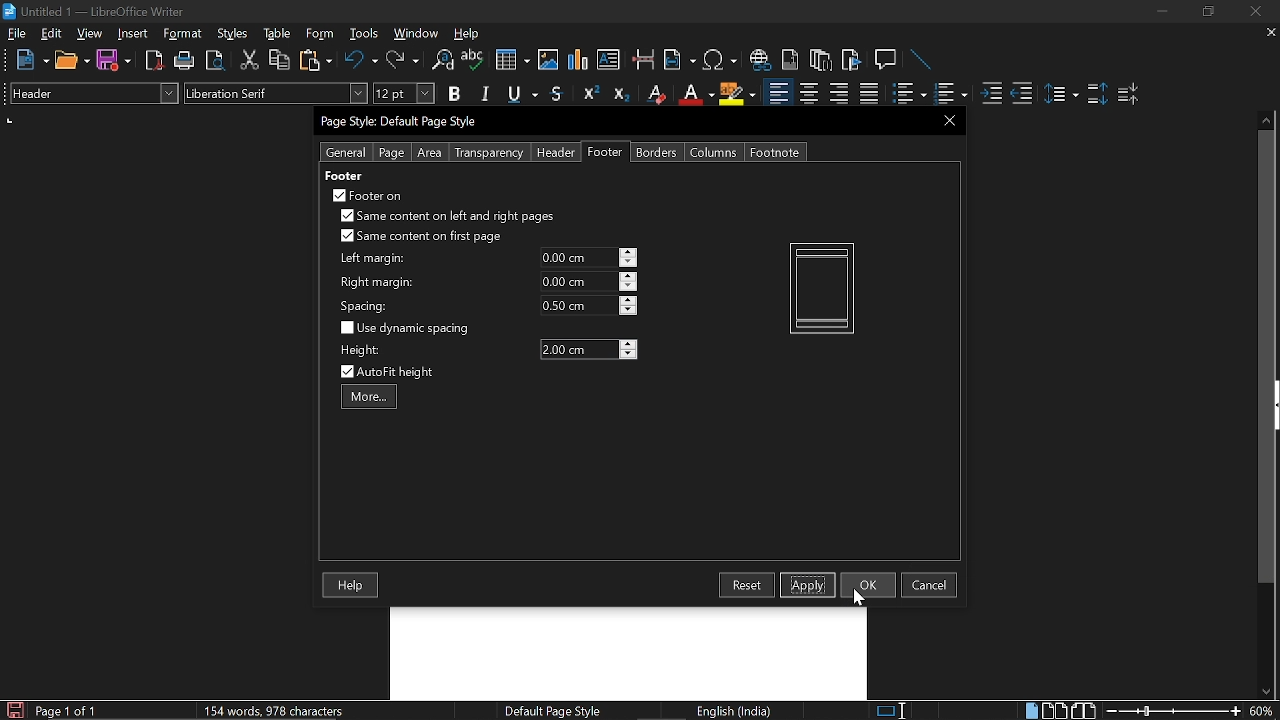  I want to click on Footer on, so click(368, 195).